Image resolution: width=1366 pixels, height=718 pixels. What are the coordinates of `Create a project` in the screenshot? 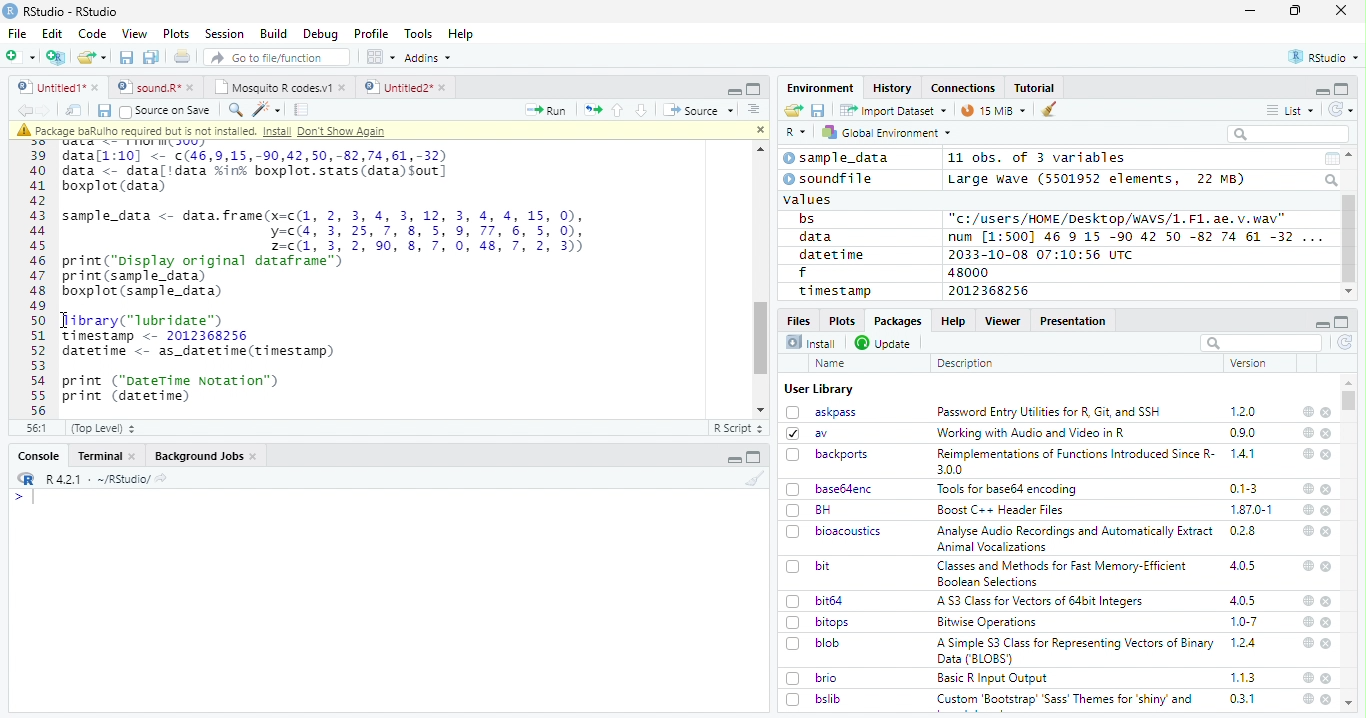 It's located at (56, 57).